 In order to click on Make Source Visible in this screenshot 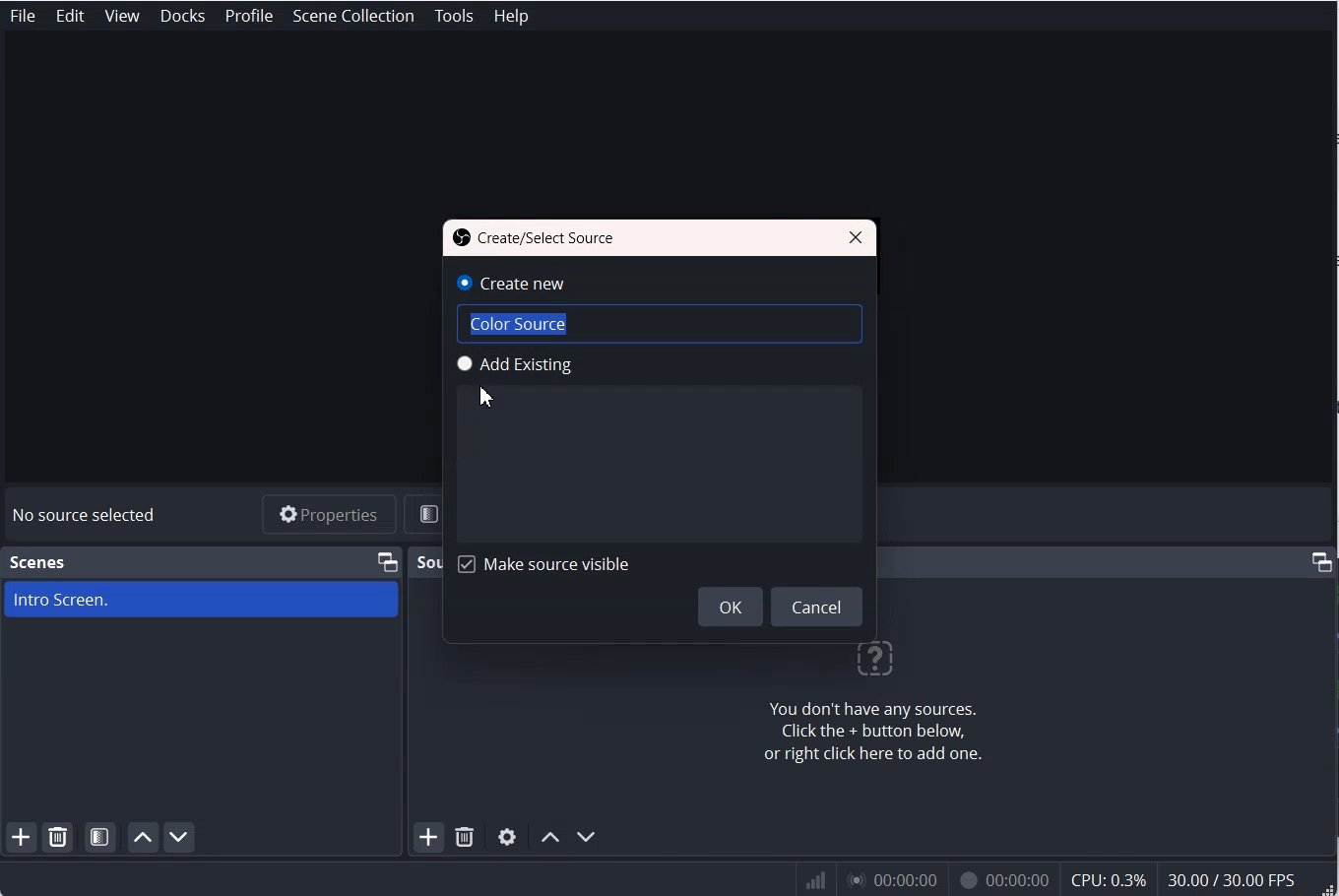, I will do `click(542, 563)`.